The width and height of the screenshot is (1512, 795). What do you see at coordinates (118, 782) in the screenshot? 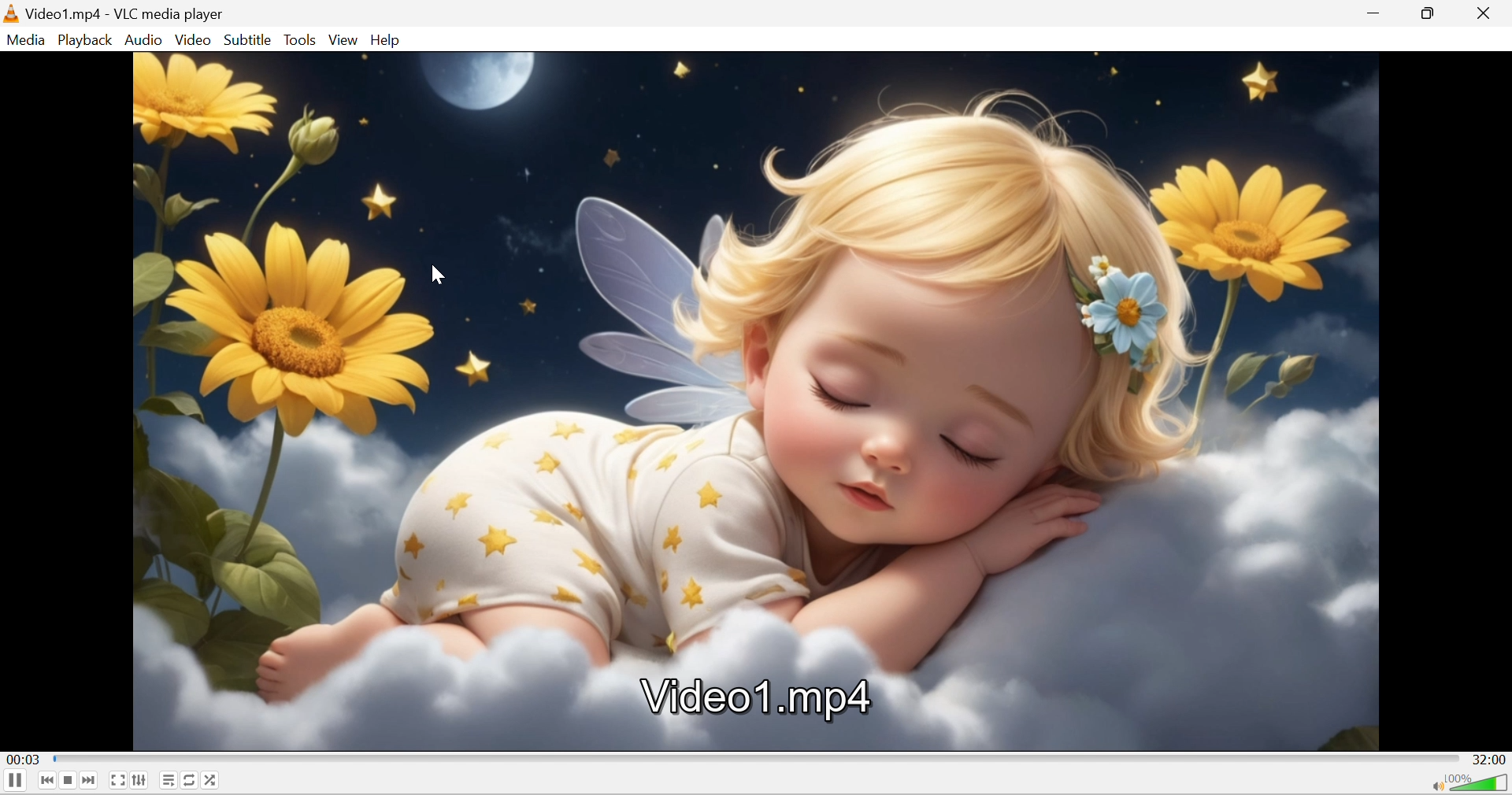
I see `Toggle the video in fullscreen` at bounding box center [118, 782].